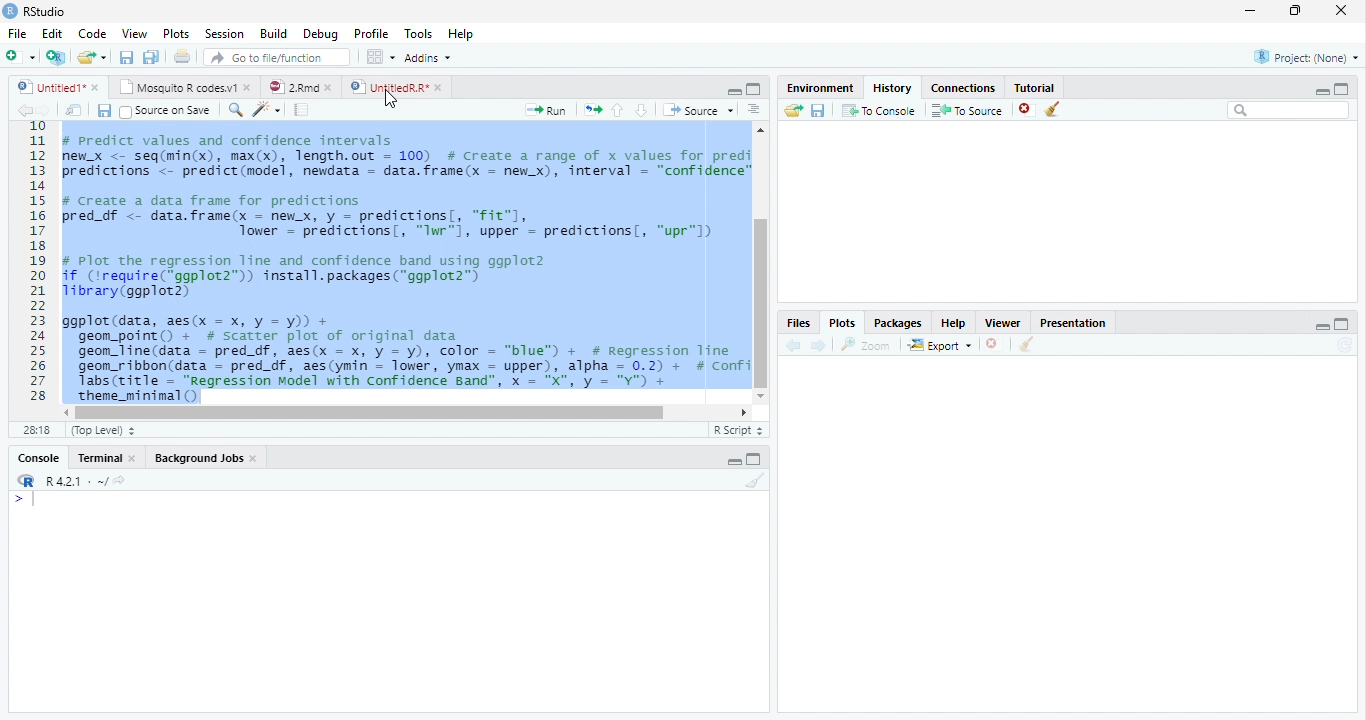  What do you see at coordinates (178, 32) in the screenshot?
I see `Plots` at bounding box center [178, 32].